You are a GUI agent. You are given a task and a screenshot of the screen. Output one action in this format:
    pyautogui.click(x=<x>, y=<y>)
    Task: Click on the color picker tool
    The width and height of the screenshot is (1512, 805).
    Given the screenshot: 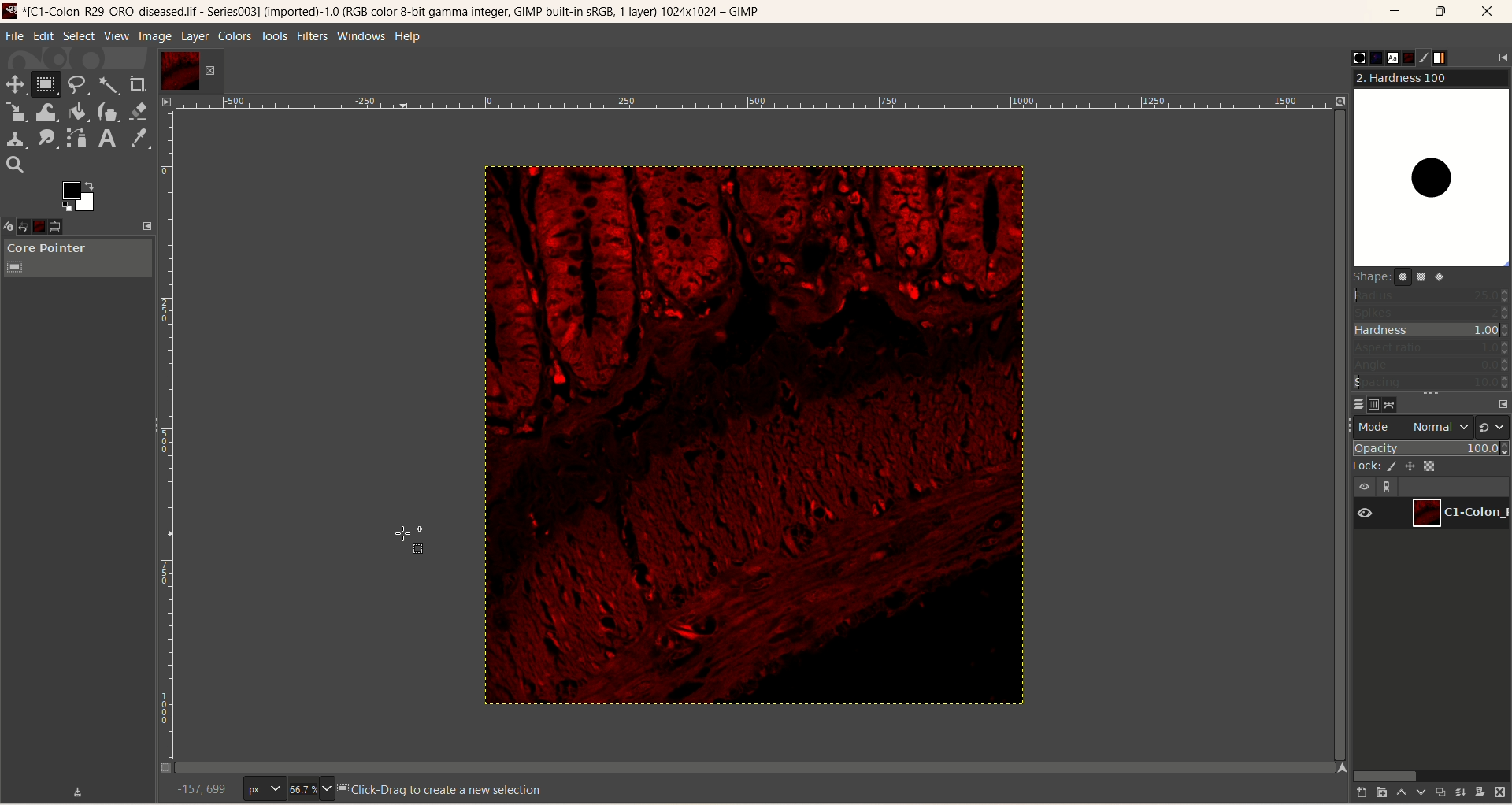 What is the action you would take?
    pyautogui.click(x=139, y=139)
    